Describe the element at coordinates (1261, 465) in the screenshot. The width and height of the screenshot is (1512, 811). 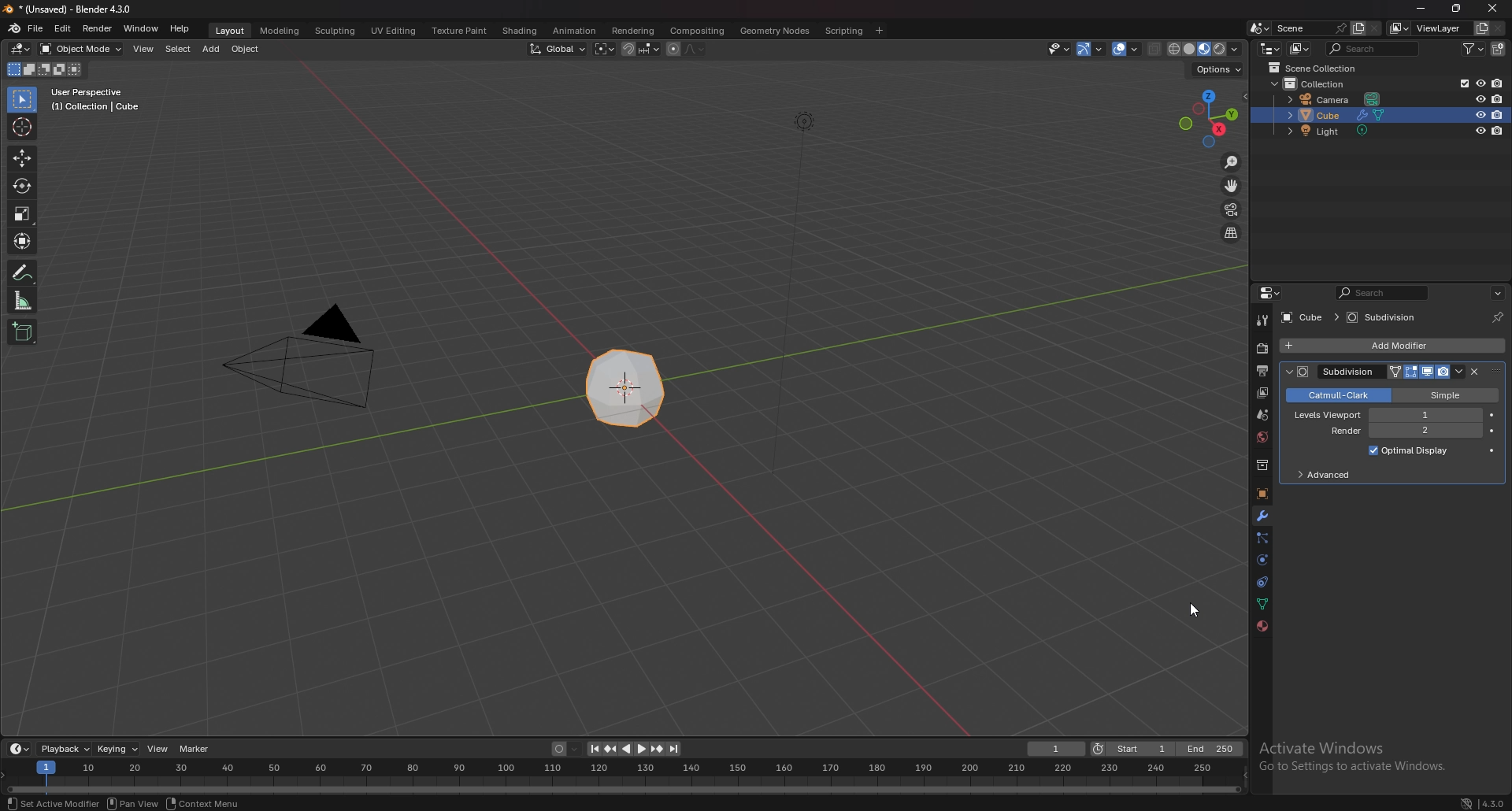
I see `collection` at that location.